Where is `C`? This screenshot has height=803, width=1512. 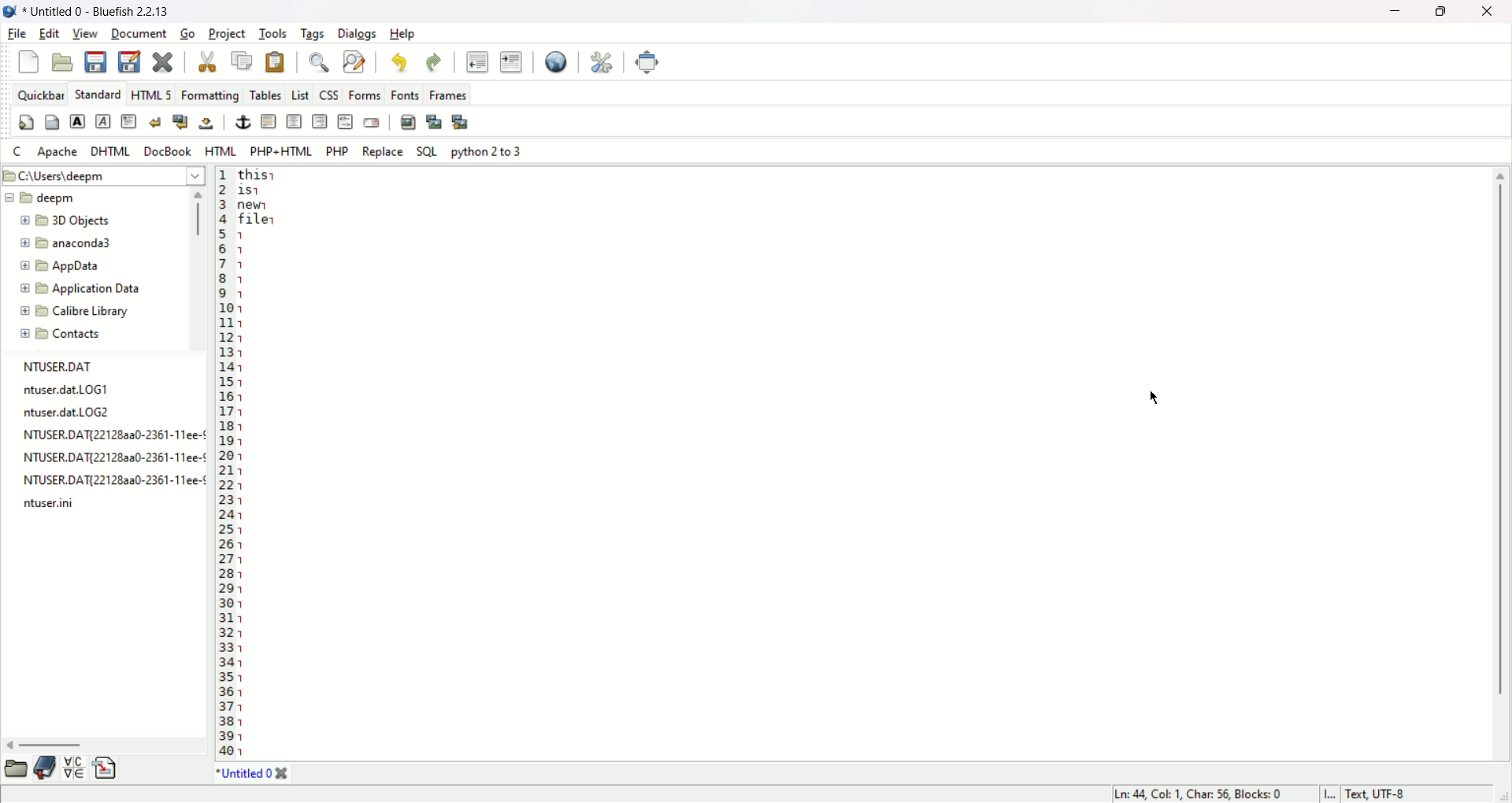 C is located at coordinates (17, 152).